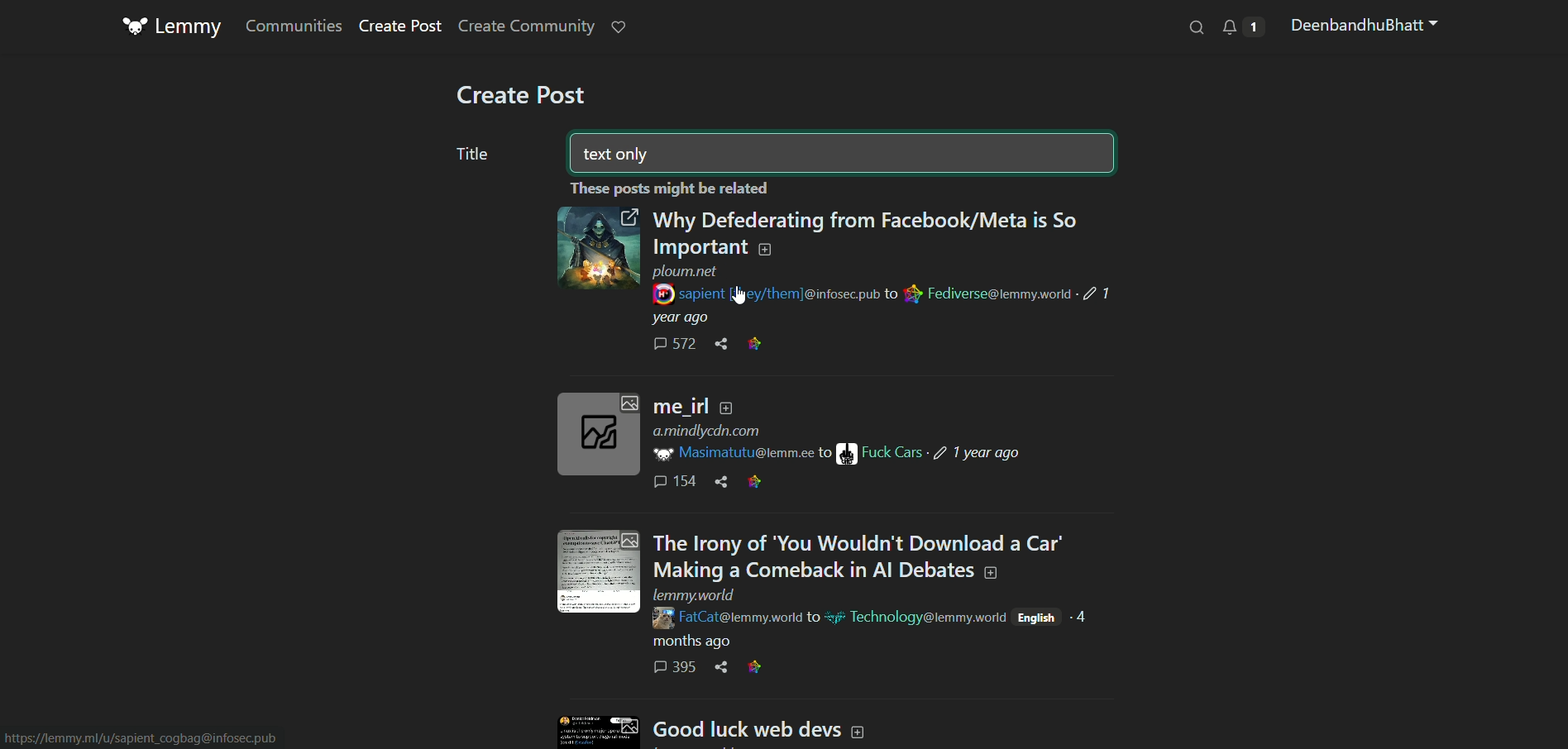 Image resolution: width=1568 pixels, height=749 pixels. What do you see at coordinates (174, 28) in the screenshot?
I see `logo and title` at bounding box center [174, 28].